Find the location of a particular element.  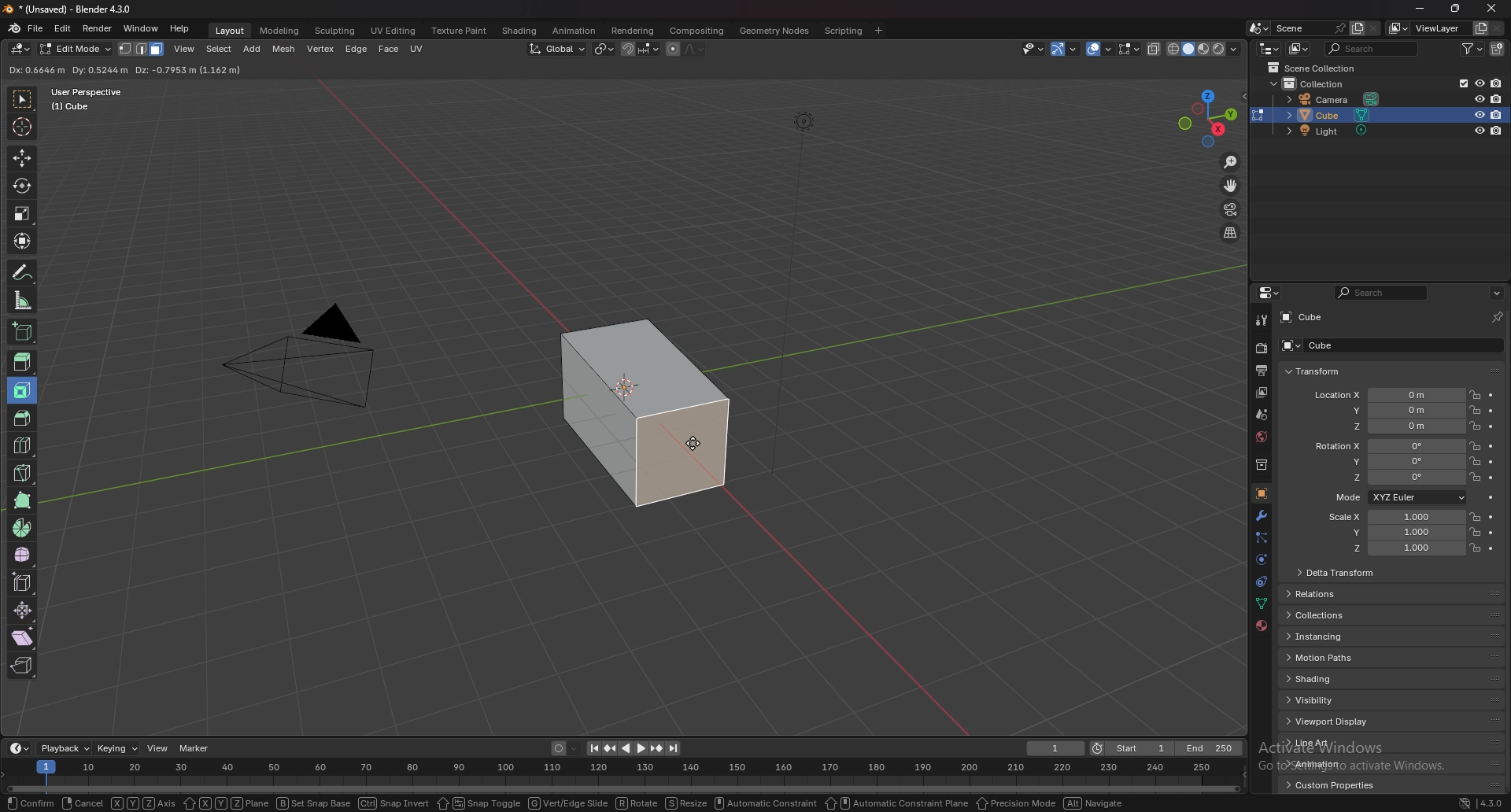

editor type is located at coordinates (1270, 48).